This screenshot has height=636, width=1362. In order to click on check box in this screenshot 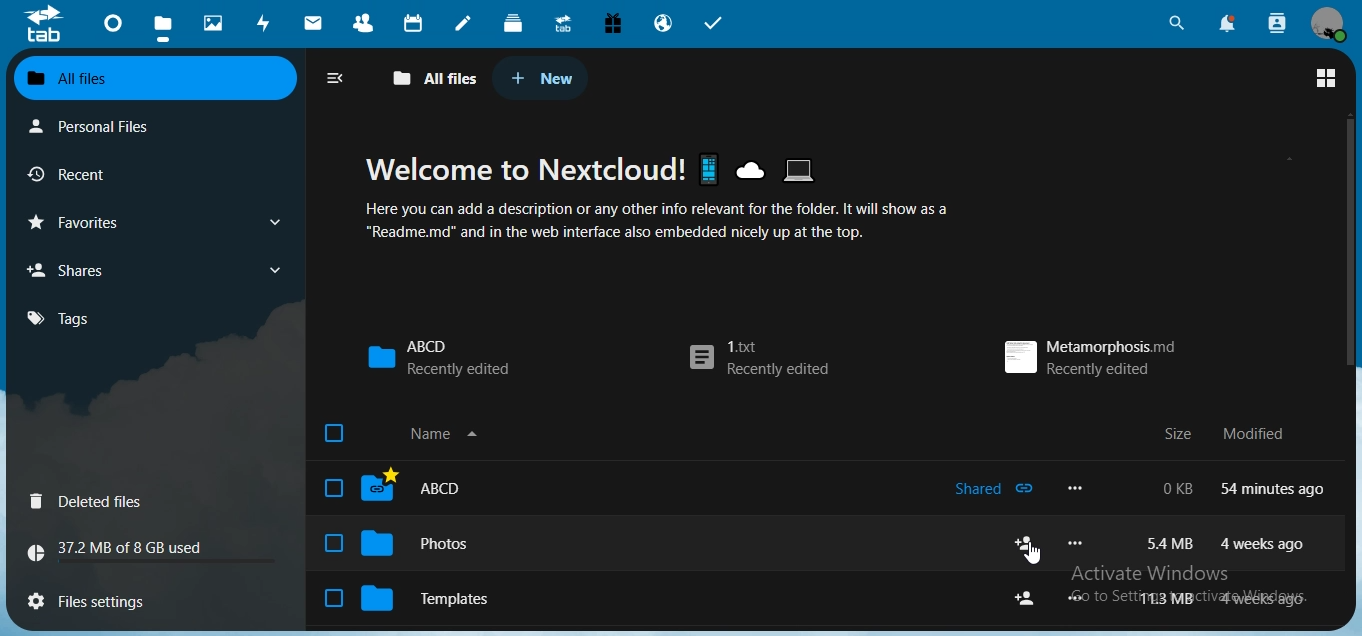, I will do `click(333, 598)`.